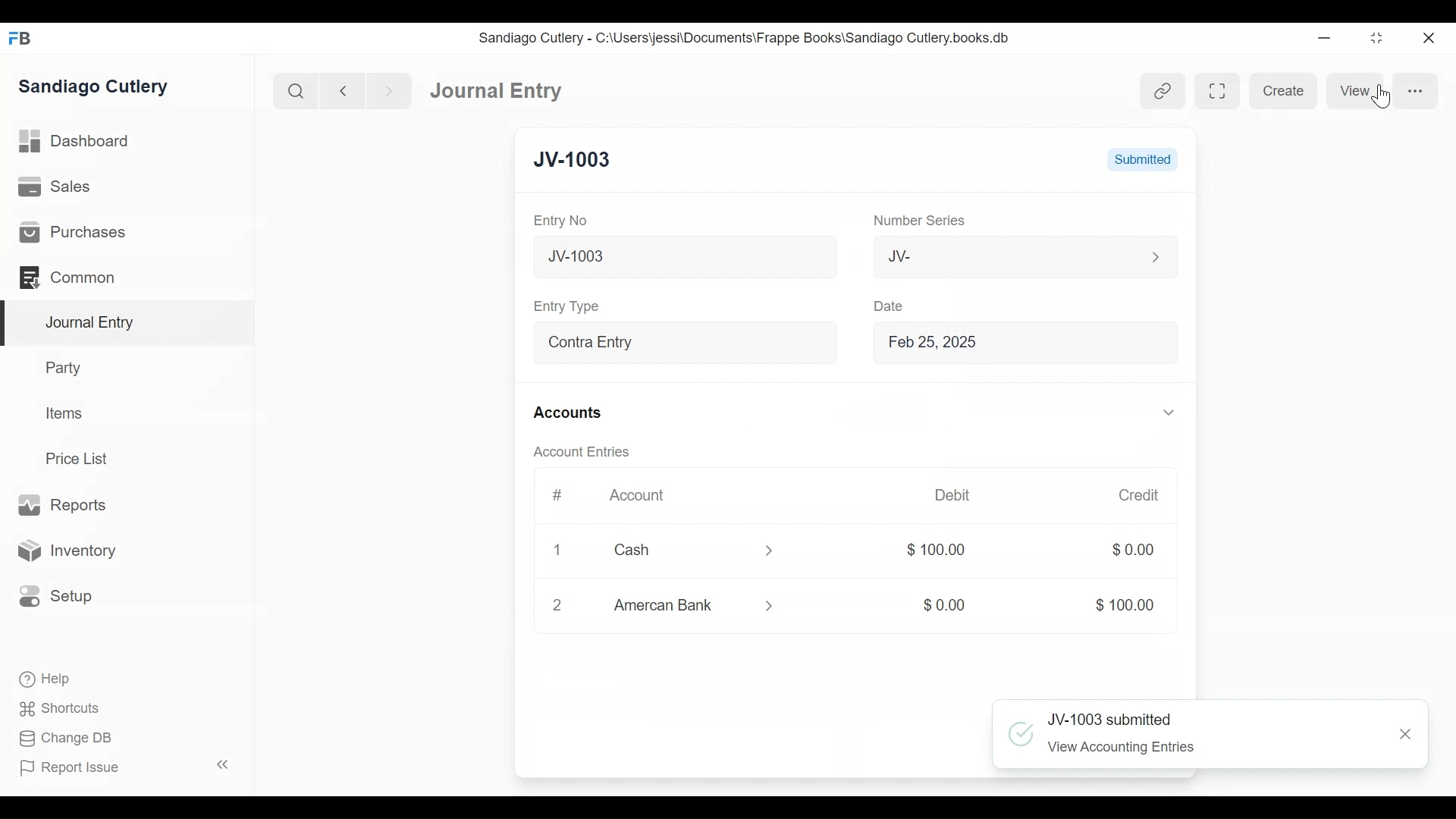 This screenshot has width=1456, height=819. I want to click on Close, so click(558, 551).